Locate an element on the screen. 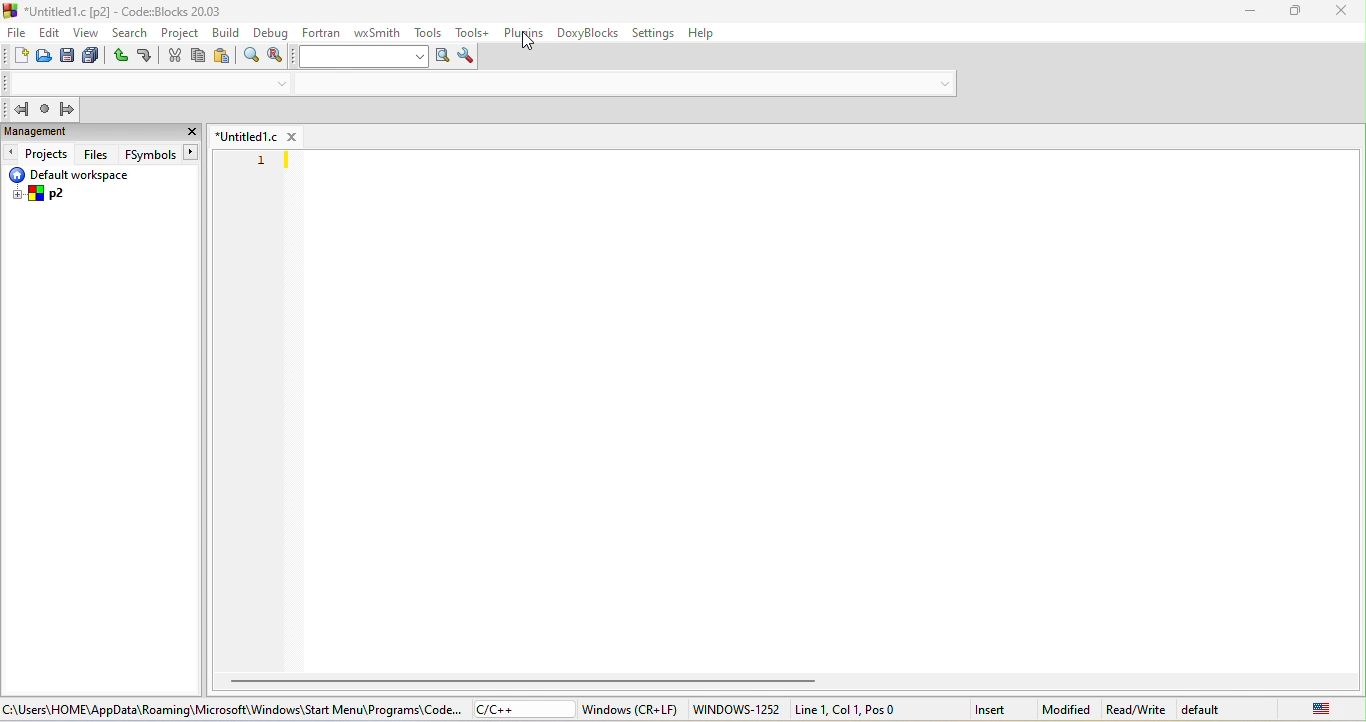 The image size is (1366, 722). redo is located at coordinates (148, 56).